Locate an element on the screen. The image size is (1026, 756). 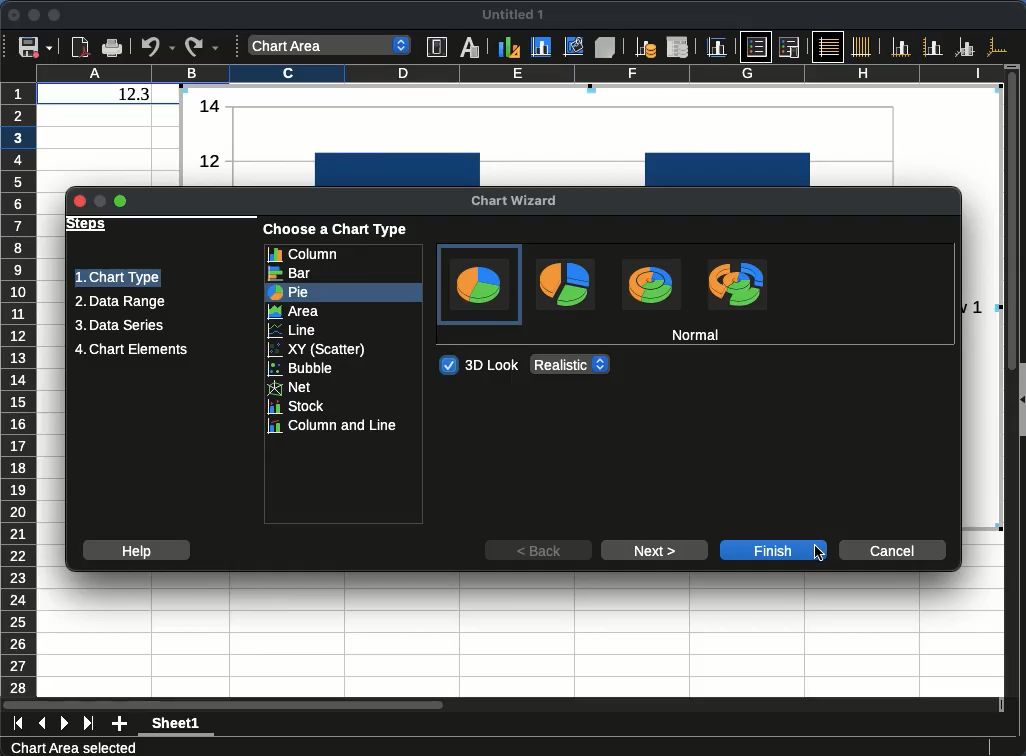
xy scatter is located at coordinates (343, 349).